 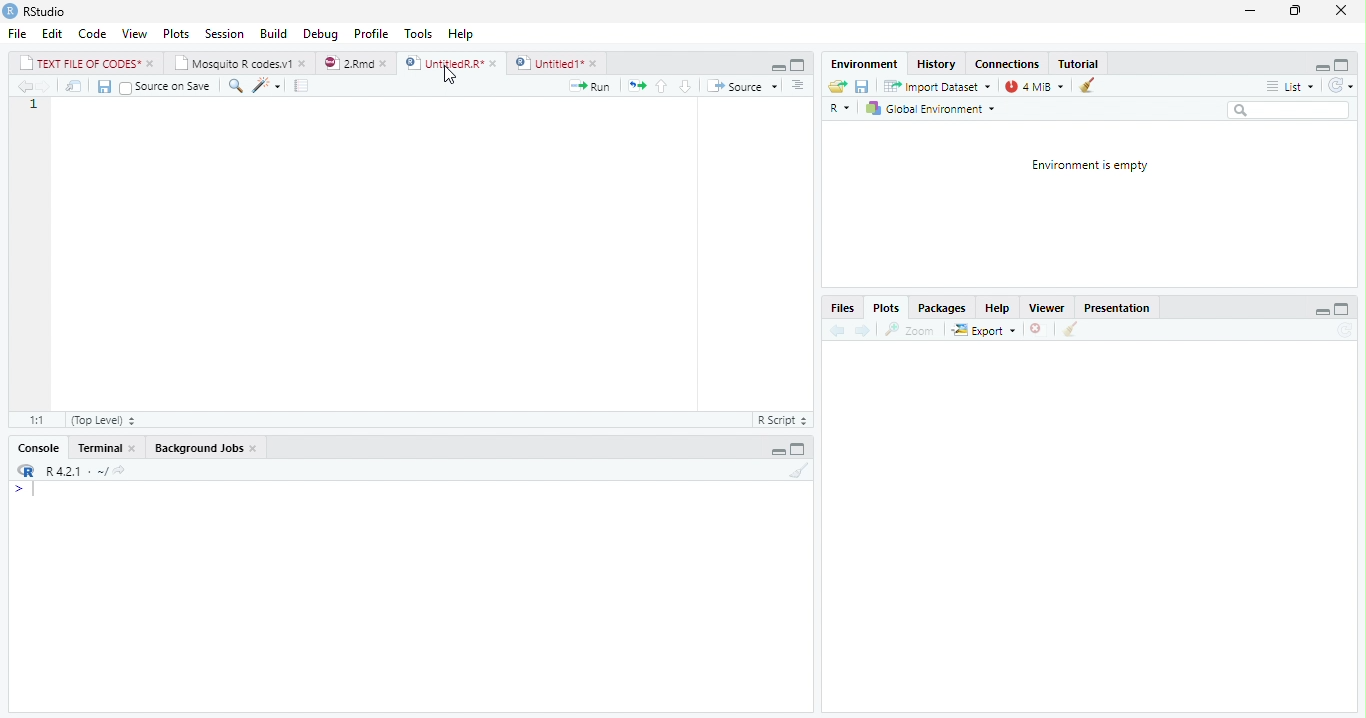 What do you see at coordinates (983, 330) in the screenshot?
I see `Export ` at bounding box center [983, 330].